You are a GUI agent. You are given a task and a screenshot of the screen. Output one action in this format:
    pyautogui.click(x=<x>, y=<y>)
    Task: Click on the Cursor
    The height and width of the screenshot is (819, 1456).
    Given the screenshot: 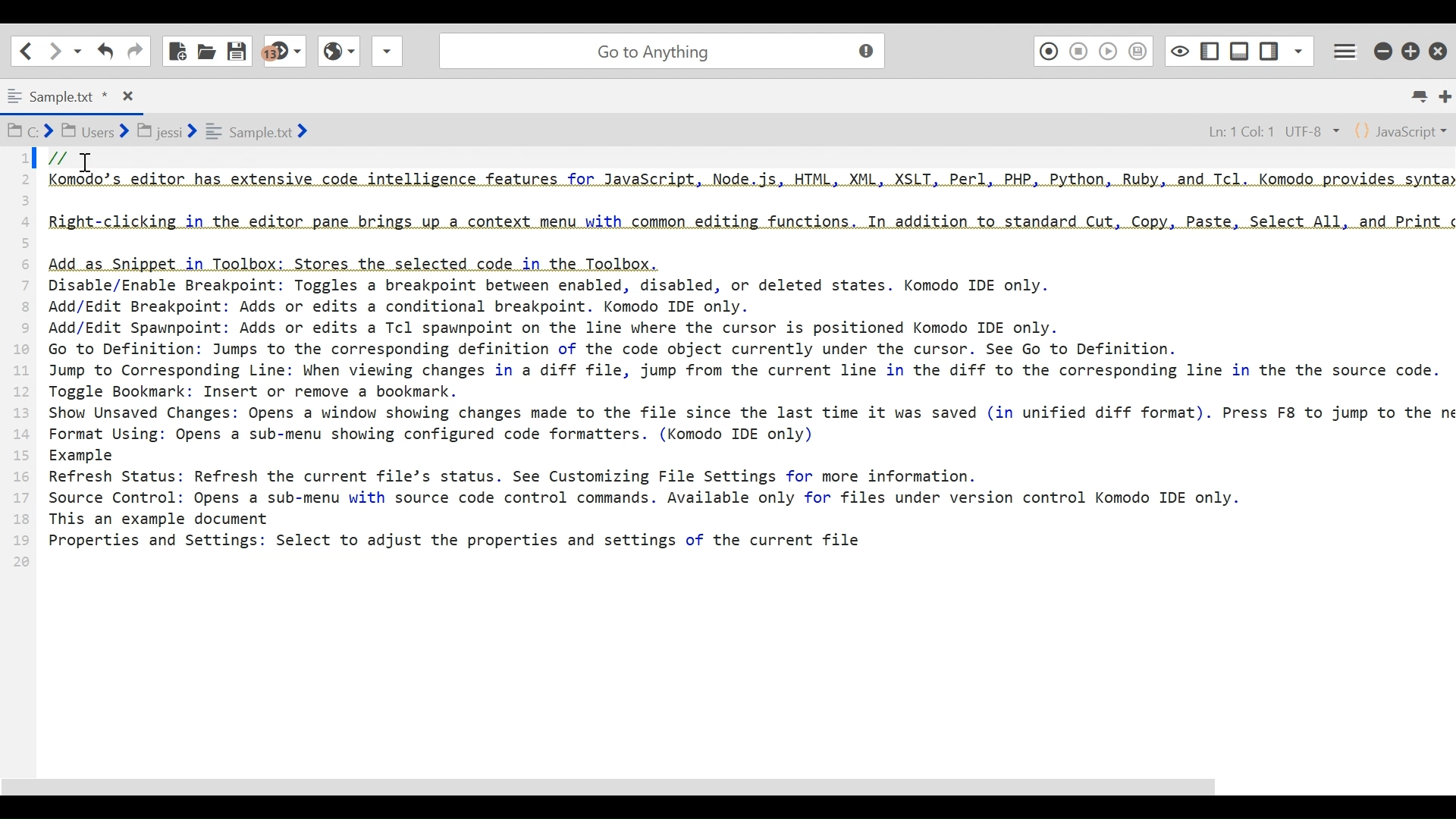 What is the action you would take?
    pyautogui.click(x=83, y=163)
    